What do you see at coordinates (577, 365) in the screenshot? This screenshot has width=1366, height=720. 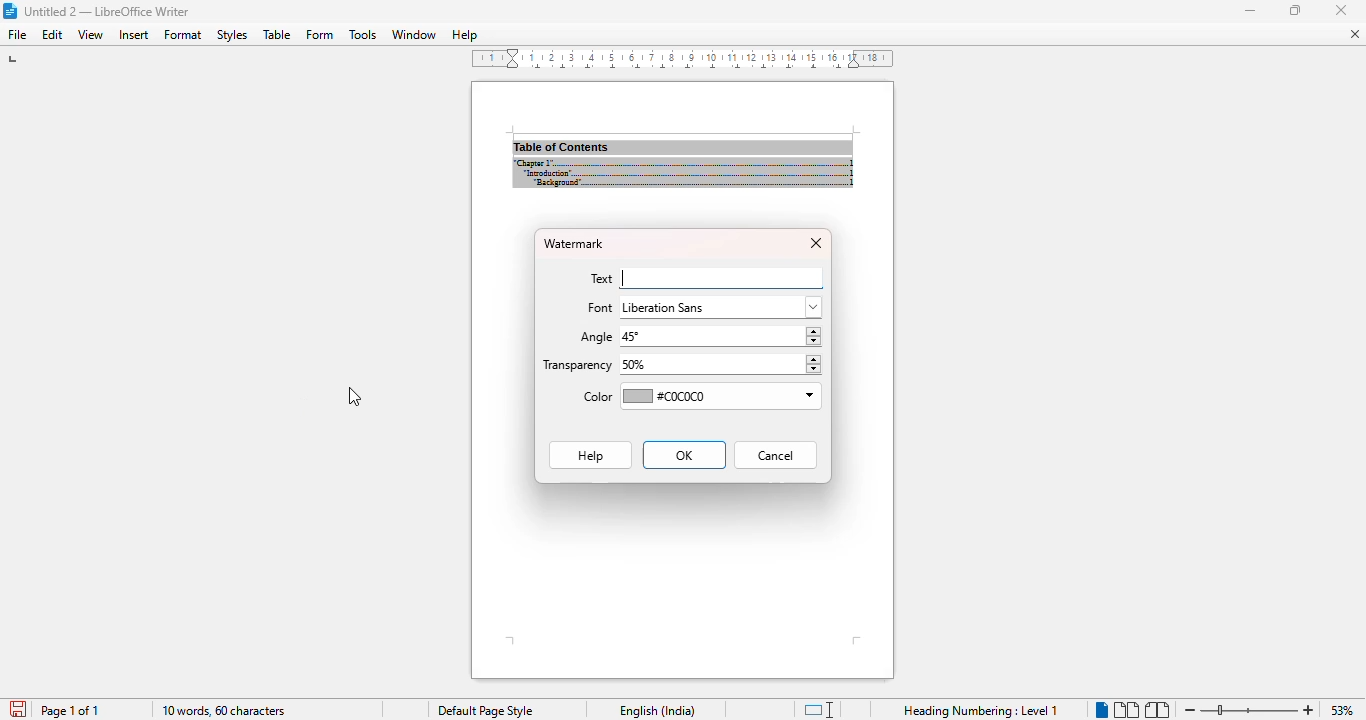 I see `transparency` at bounding box center [577, 365].